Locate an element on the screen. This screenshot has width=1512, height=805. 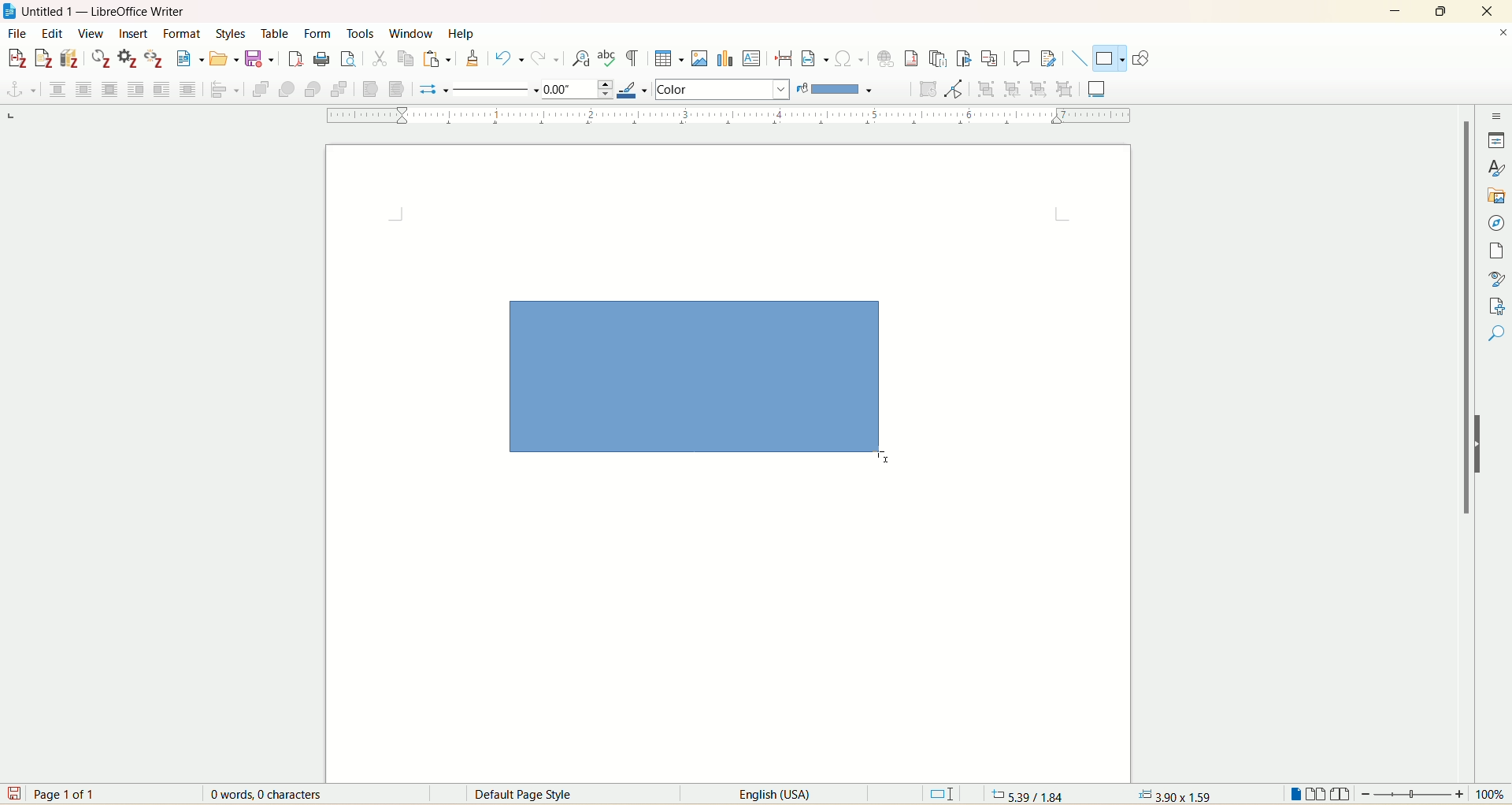
insert text box is located at coordinates (752, 57).